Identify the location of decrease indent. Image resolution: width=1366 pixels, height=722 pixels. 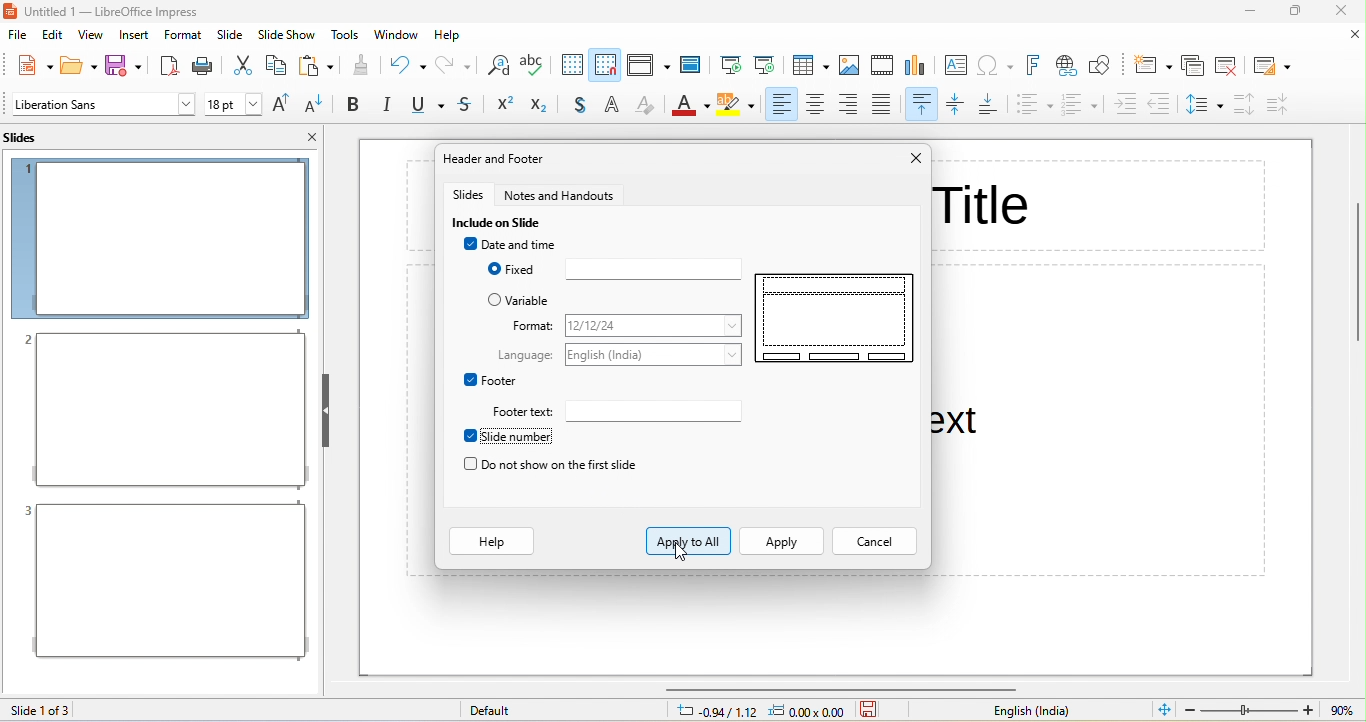
(1164, 103).